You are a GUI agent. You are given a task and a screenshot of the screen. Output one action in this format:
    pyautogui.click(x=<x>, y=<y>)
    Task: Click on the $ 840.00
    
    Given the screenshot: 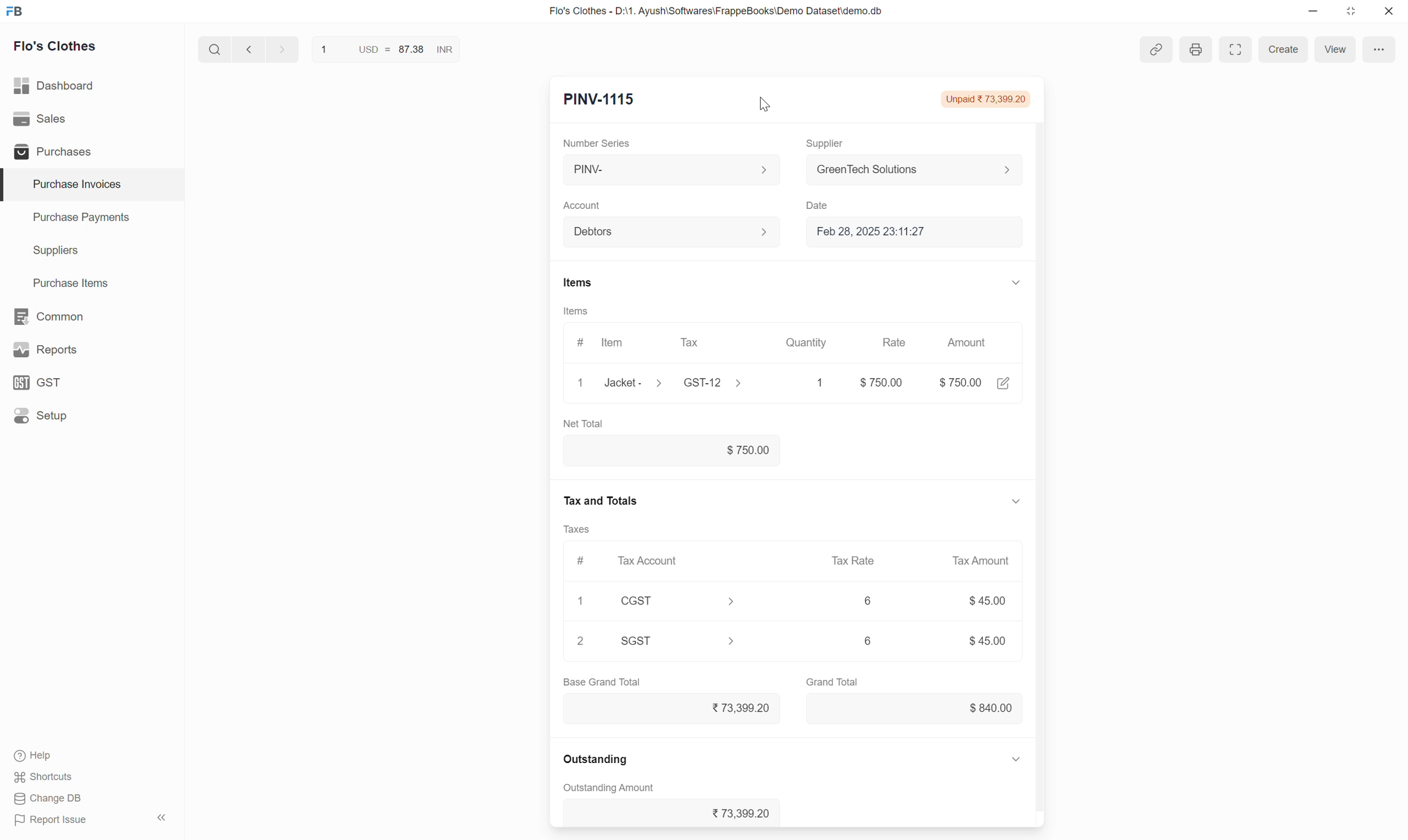 What is the action you would take?
    pyautogui.click(x=915, y=709)
    